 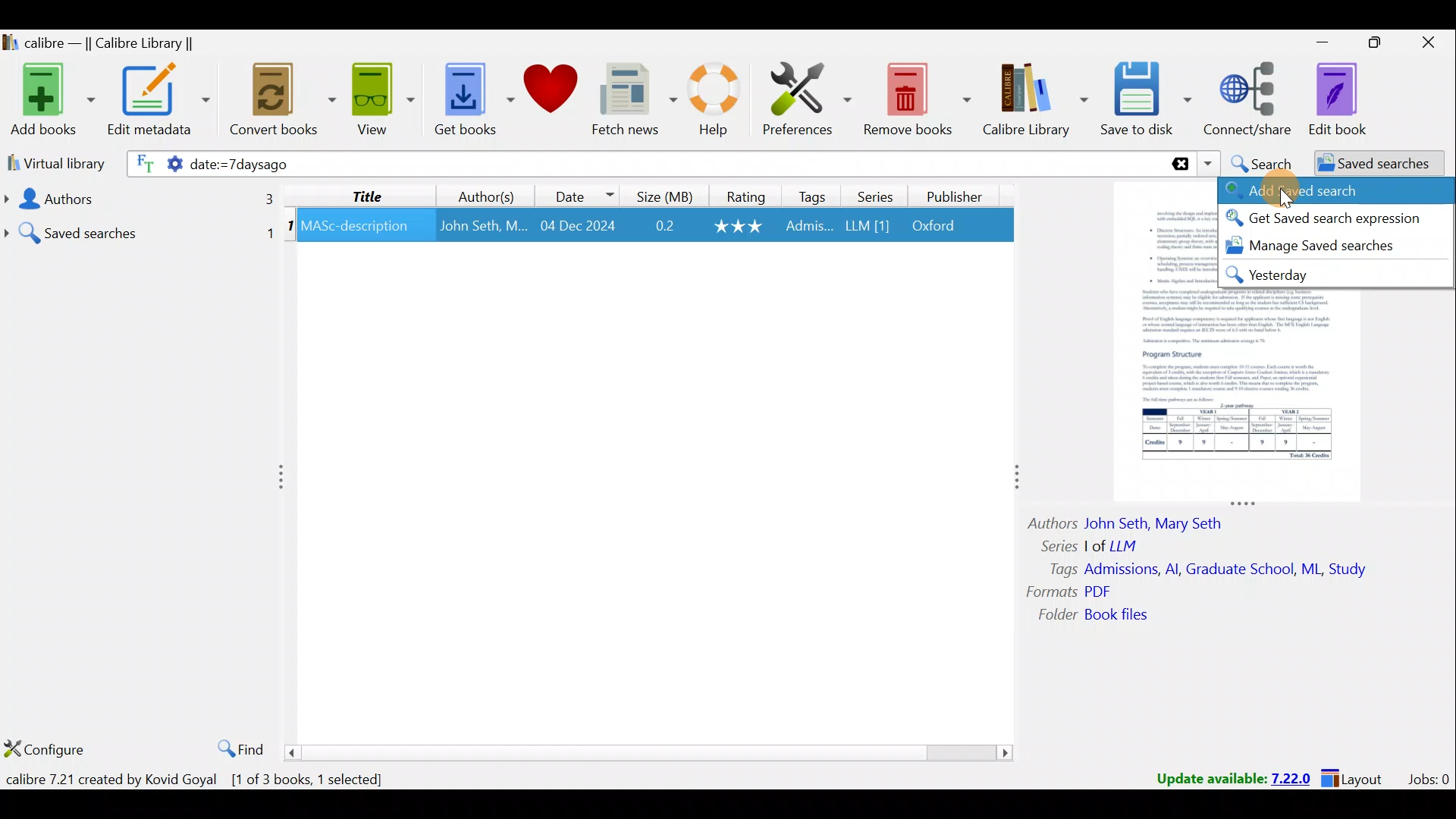 I want to click on Tags Admissions, Al, Graduate School, ML, Study, so click(x=1210, y=570).